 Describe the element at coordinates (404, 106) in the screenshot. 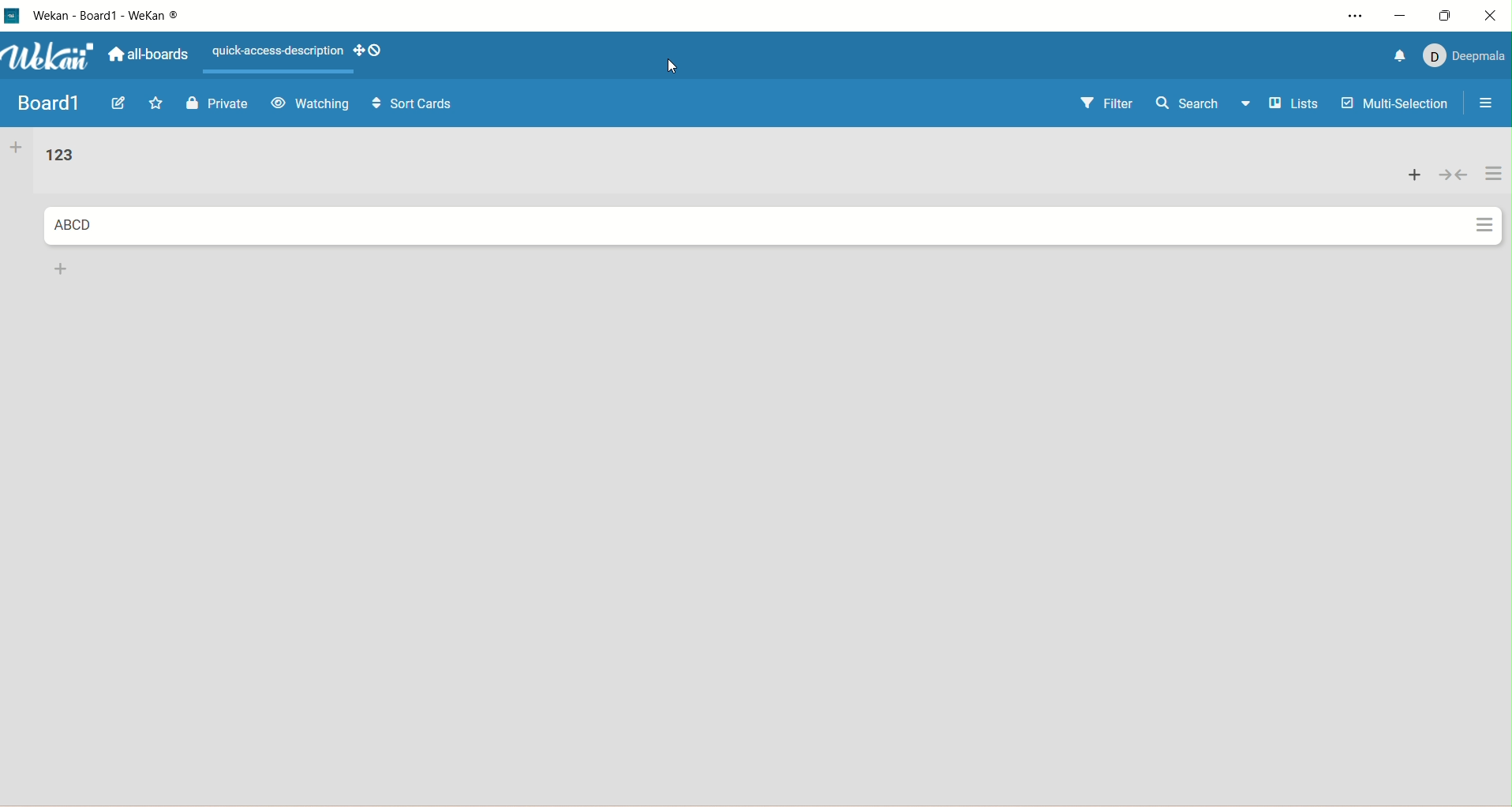

I see `sort cards` at that location.